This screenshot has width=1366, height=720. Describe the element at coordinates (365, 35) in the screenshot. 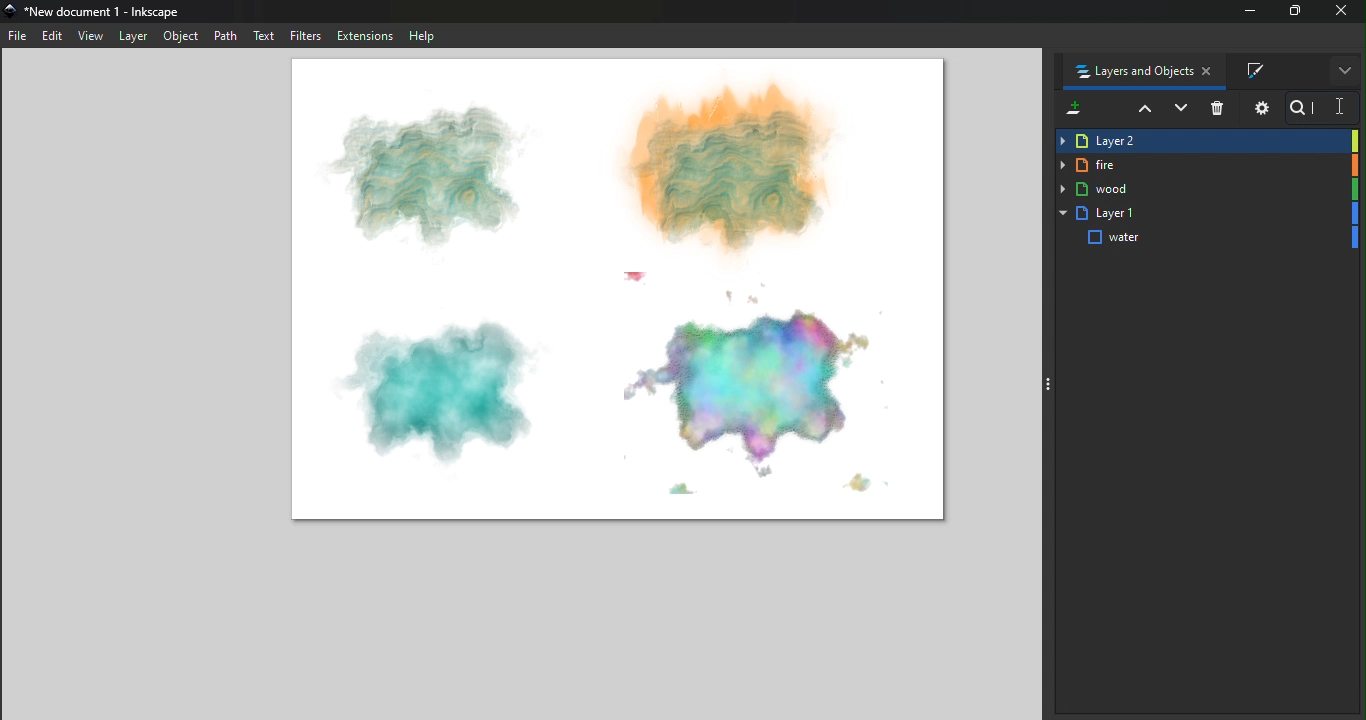

I see `Extensions` at that location.